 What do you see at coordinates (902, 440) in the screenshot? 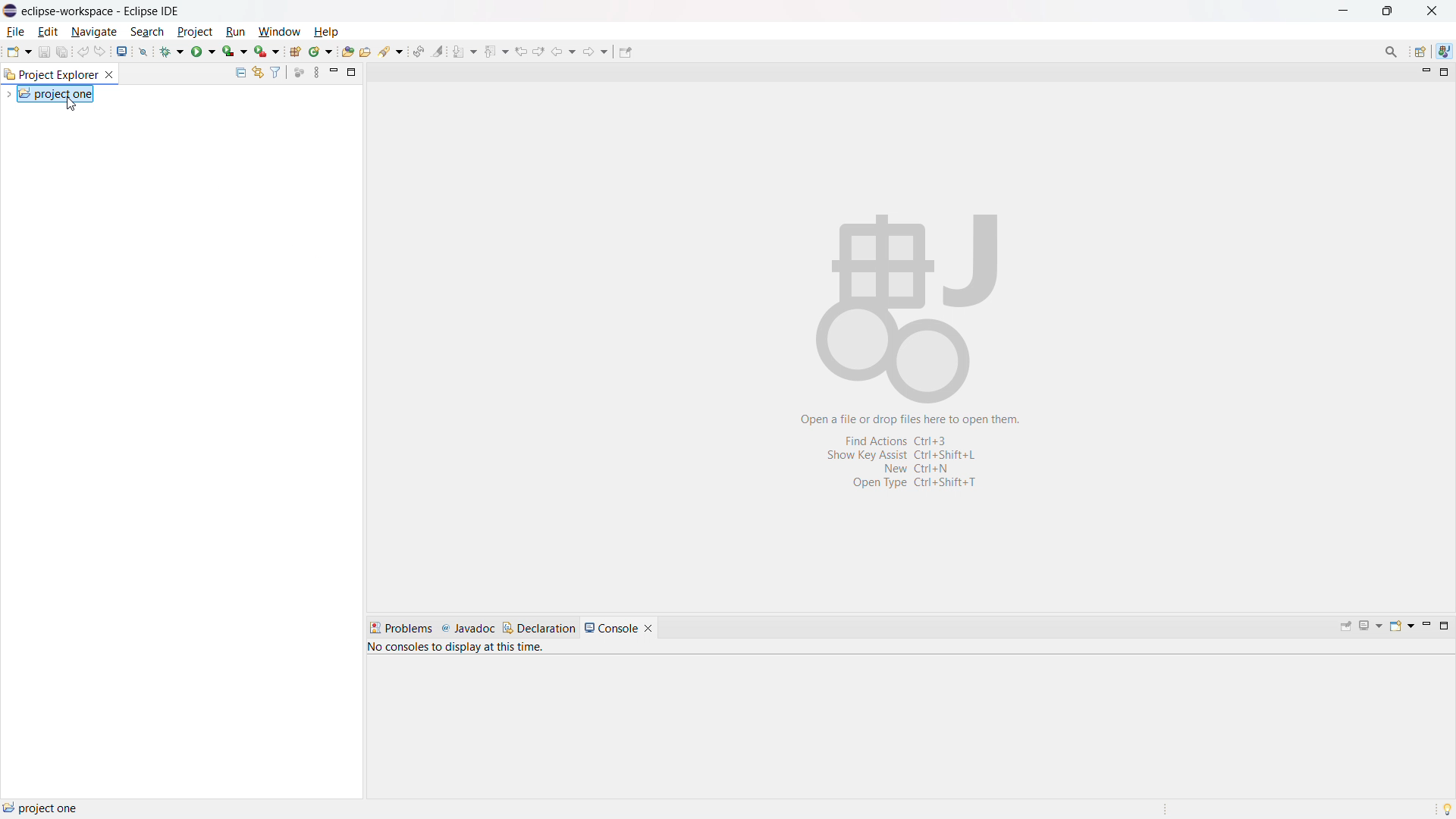
I see `find actions ctrl+3` at bounding box center [902, 440].